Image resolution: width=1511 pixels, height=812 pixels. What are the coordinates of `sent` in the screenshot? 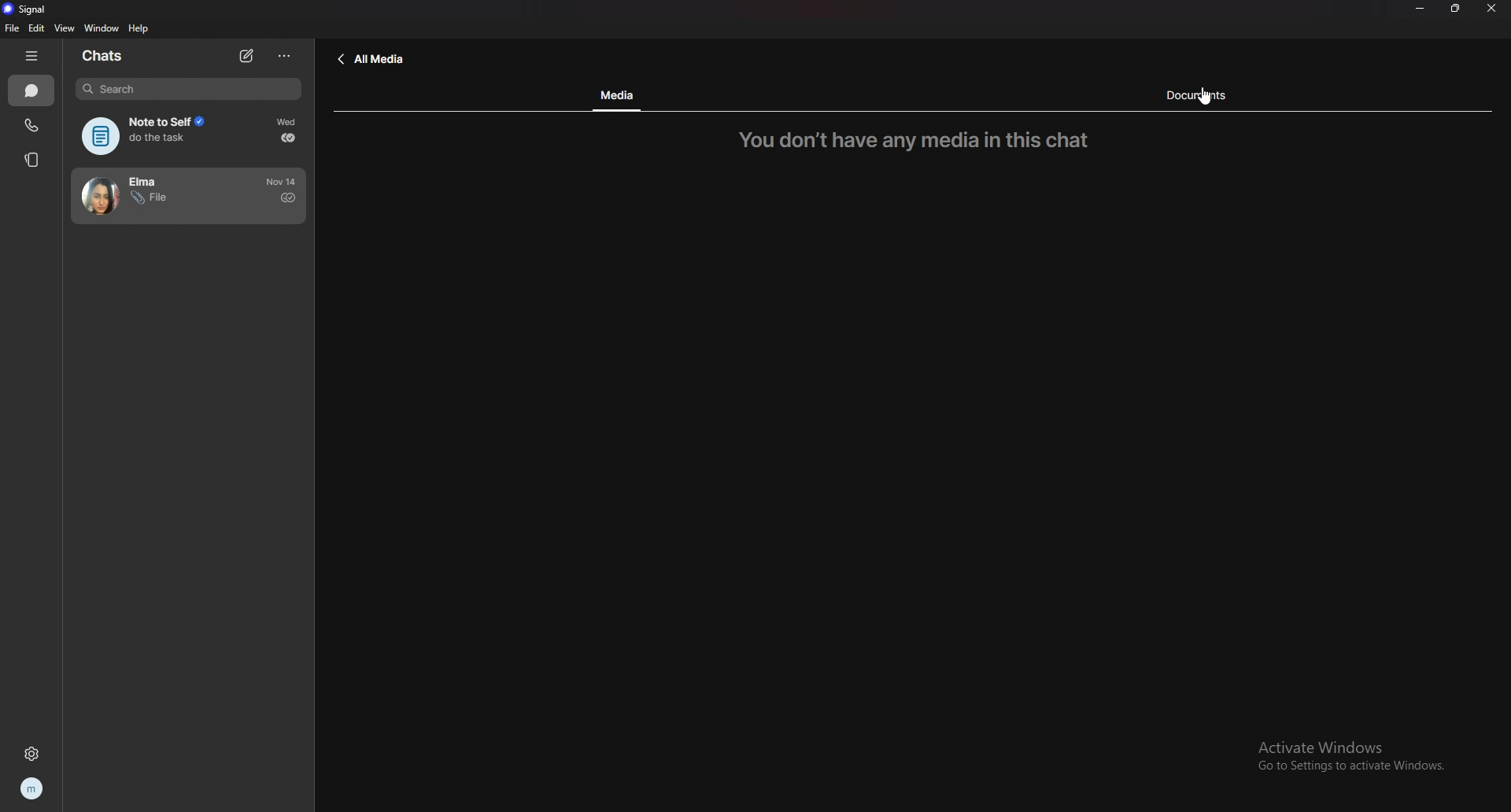 It's located at (288, 197).